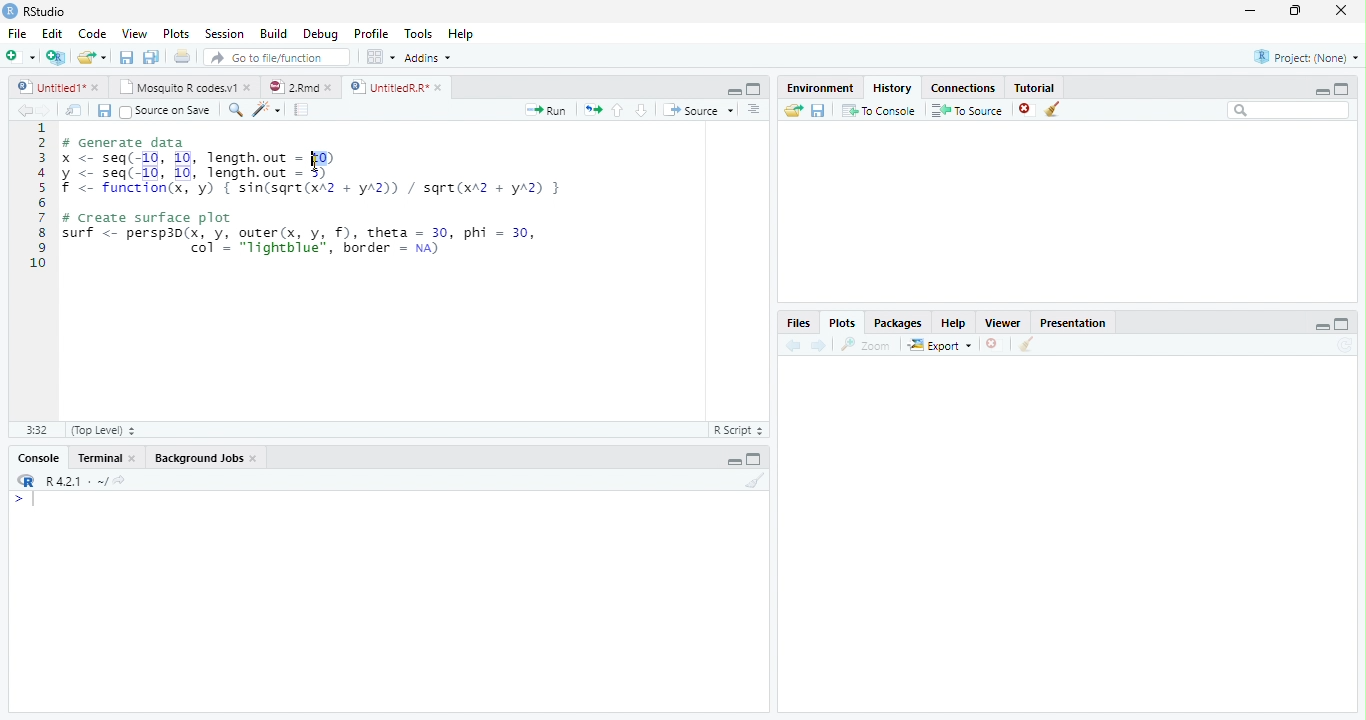 The height and width of the screenshot is (720, 1366). What do you see at coordinates (54, 57) in the screenshot?
I see `Create a project` at bounding box center [54, 57].